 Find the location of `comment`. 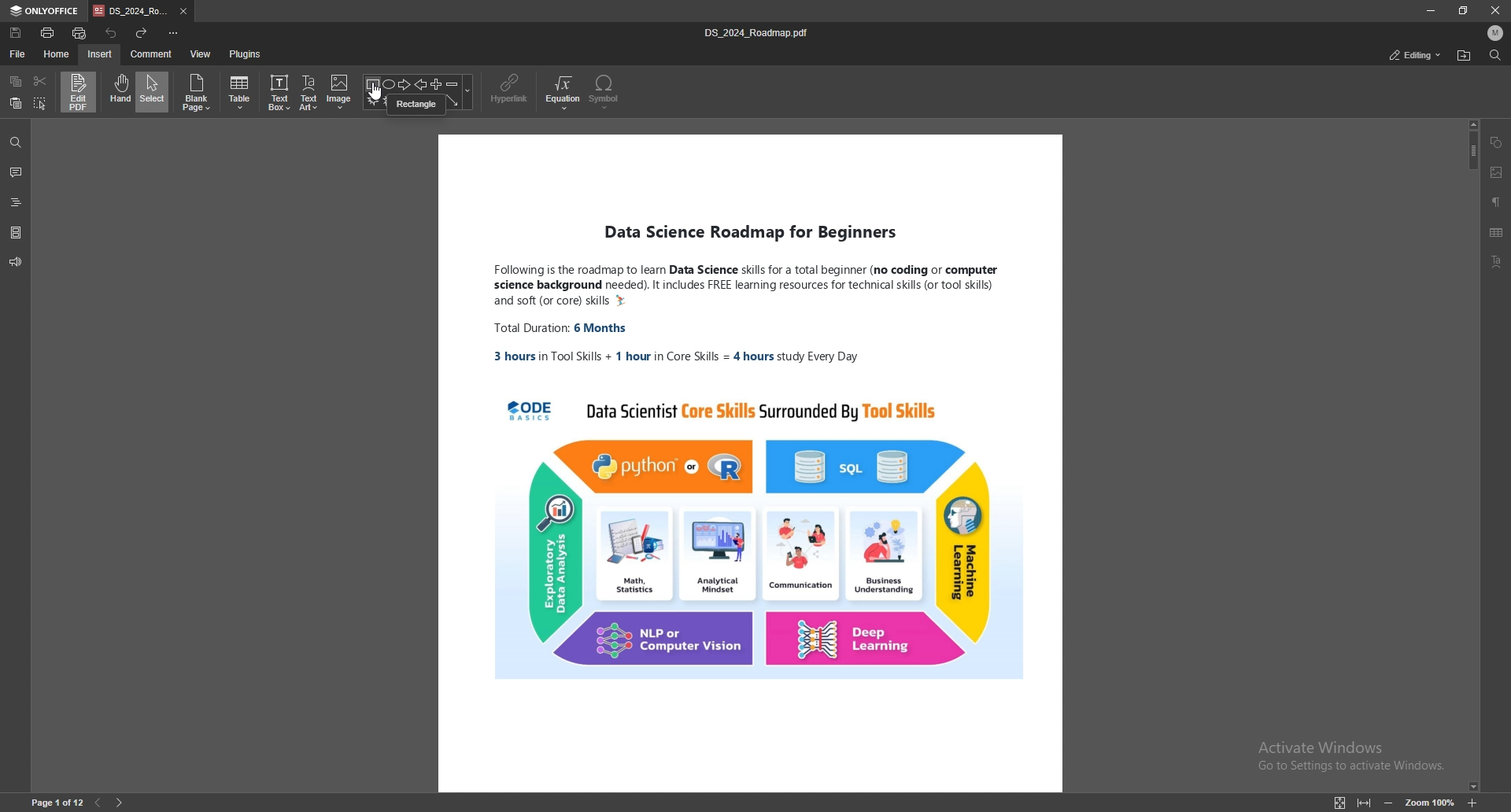

comment is located at coordinates (17, 172).